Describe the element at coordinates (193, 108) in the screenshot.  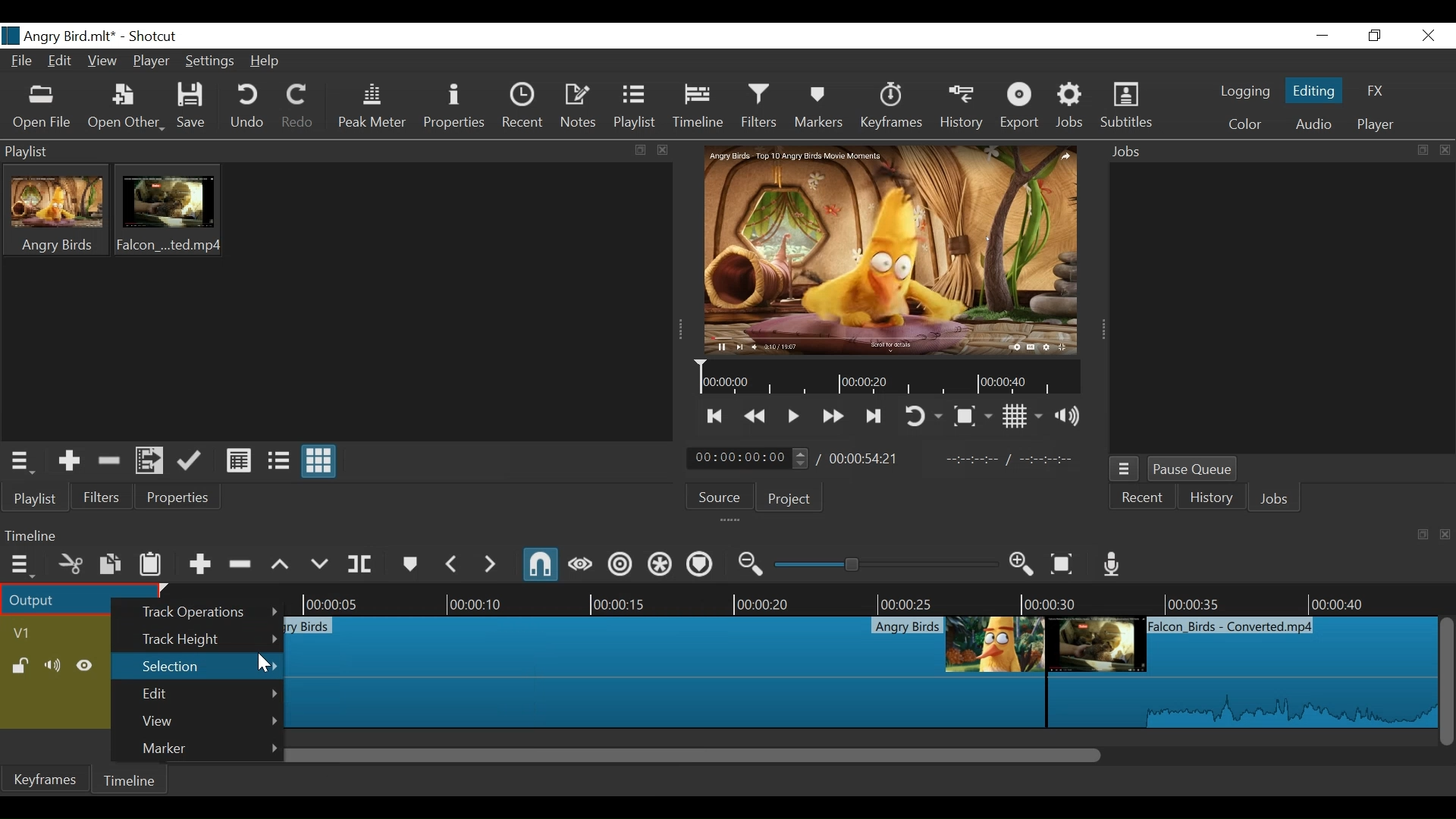
I see `Save` at that location.